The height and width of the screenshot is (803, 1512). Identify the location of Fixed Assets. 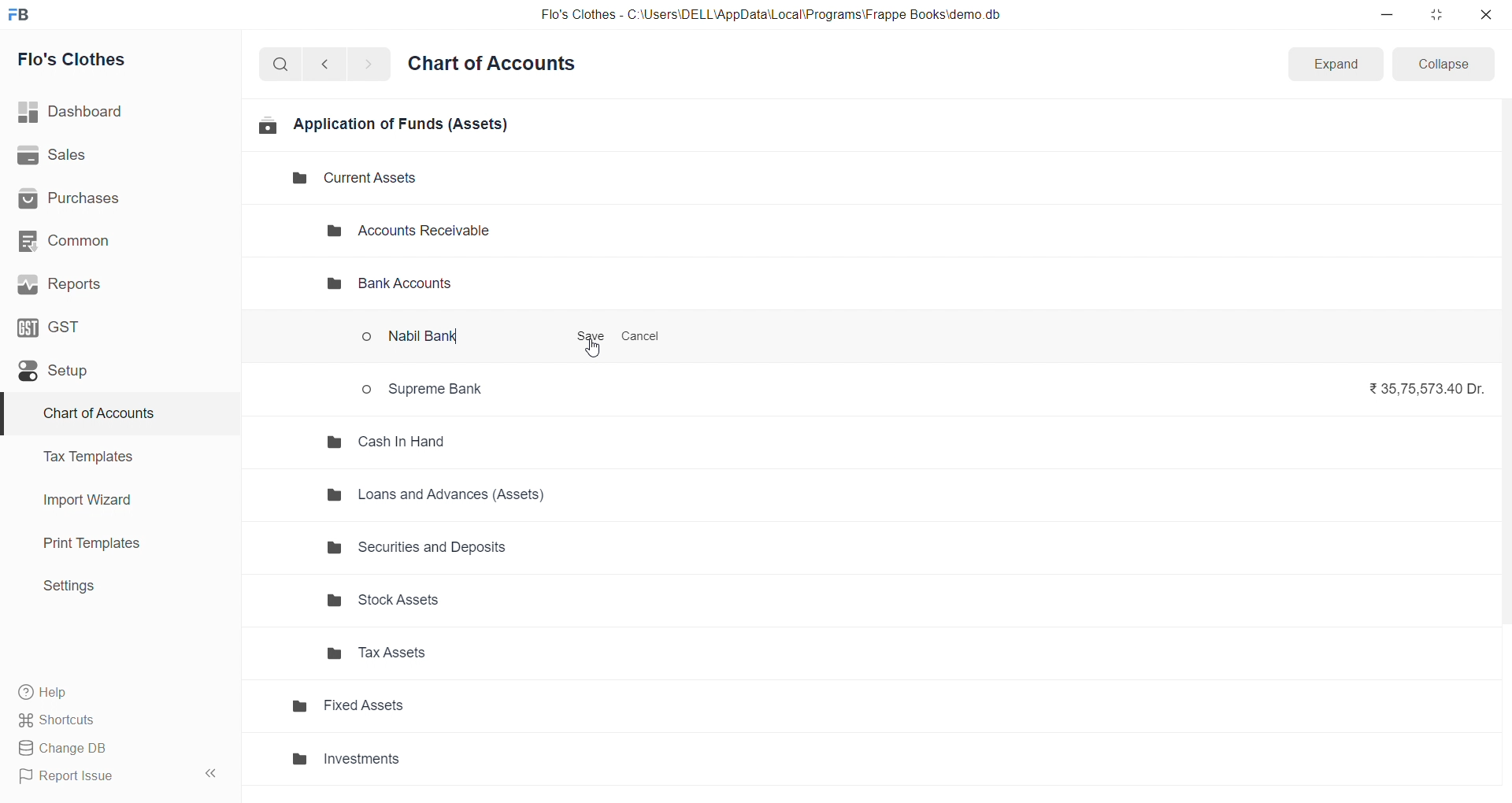
(428, 711).